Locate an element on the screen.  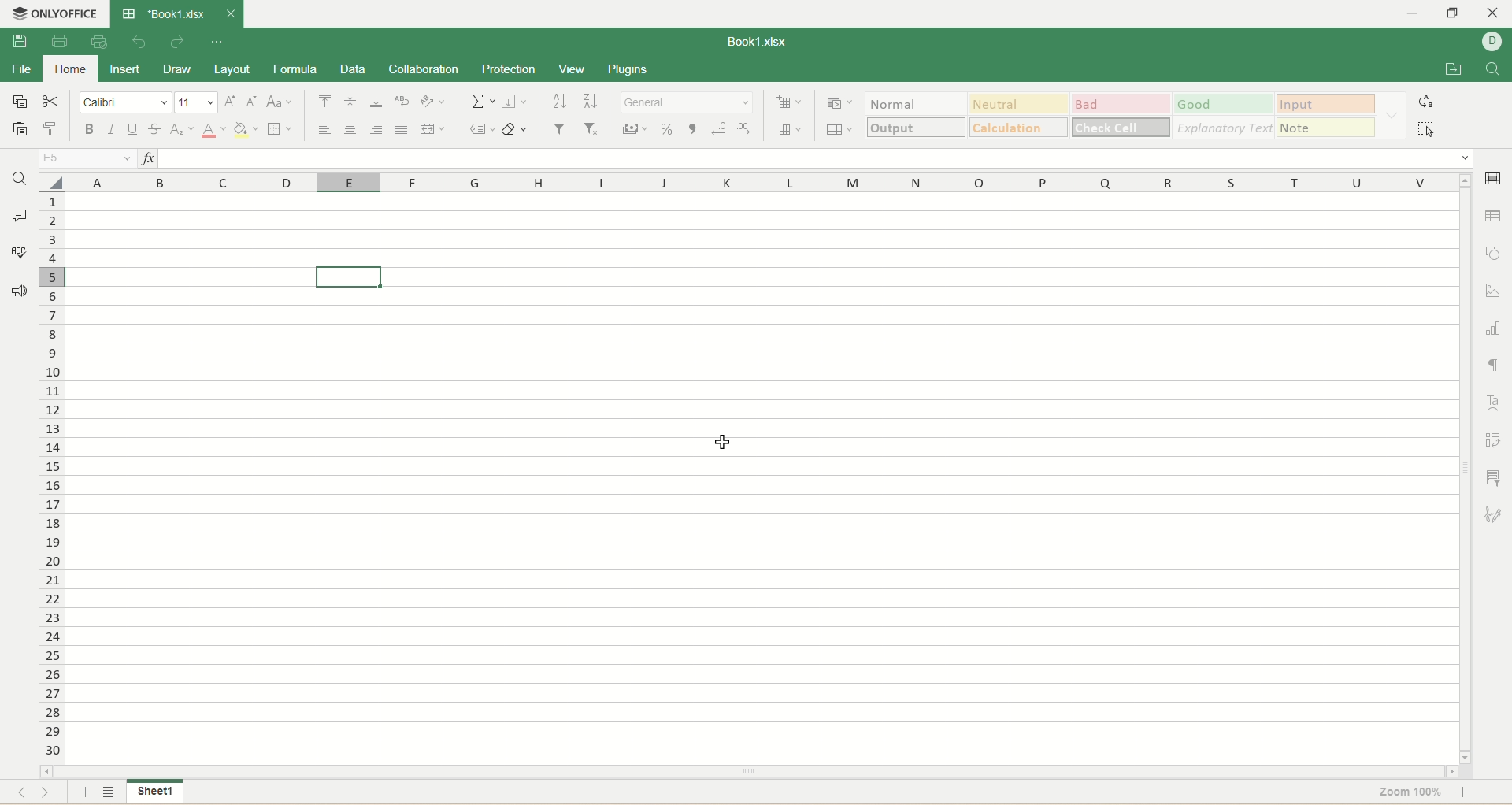
increase size is located at coordinates (231, 102).